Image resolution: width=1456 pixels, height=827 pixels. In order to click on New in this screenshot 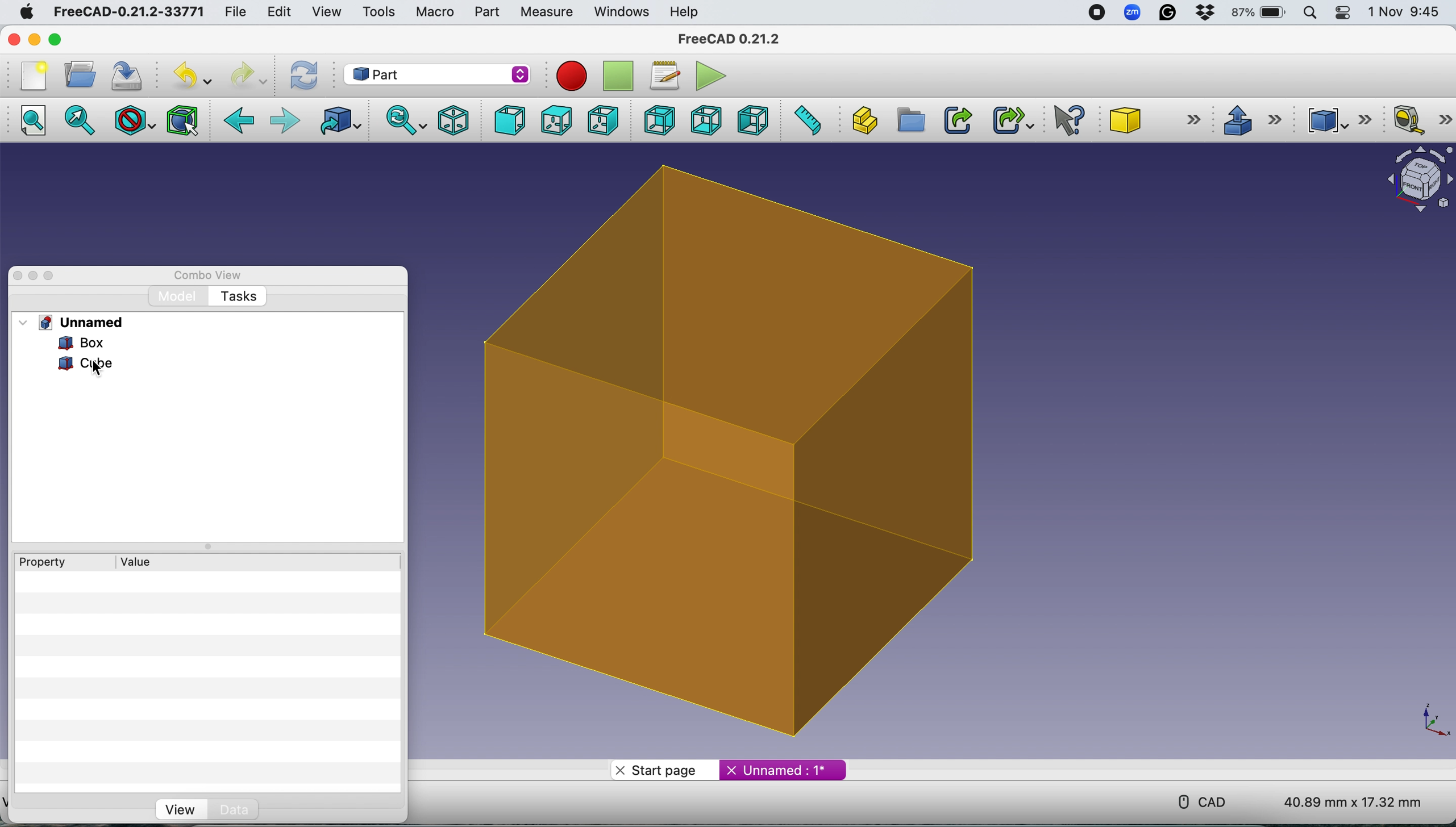, I will do `click(32, 76)`.